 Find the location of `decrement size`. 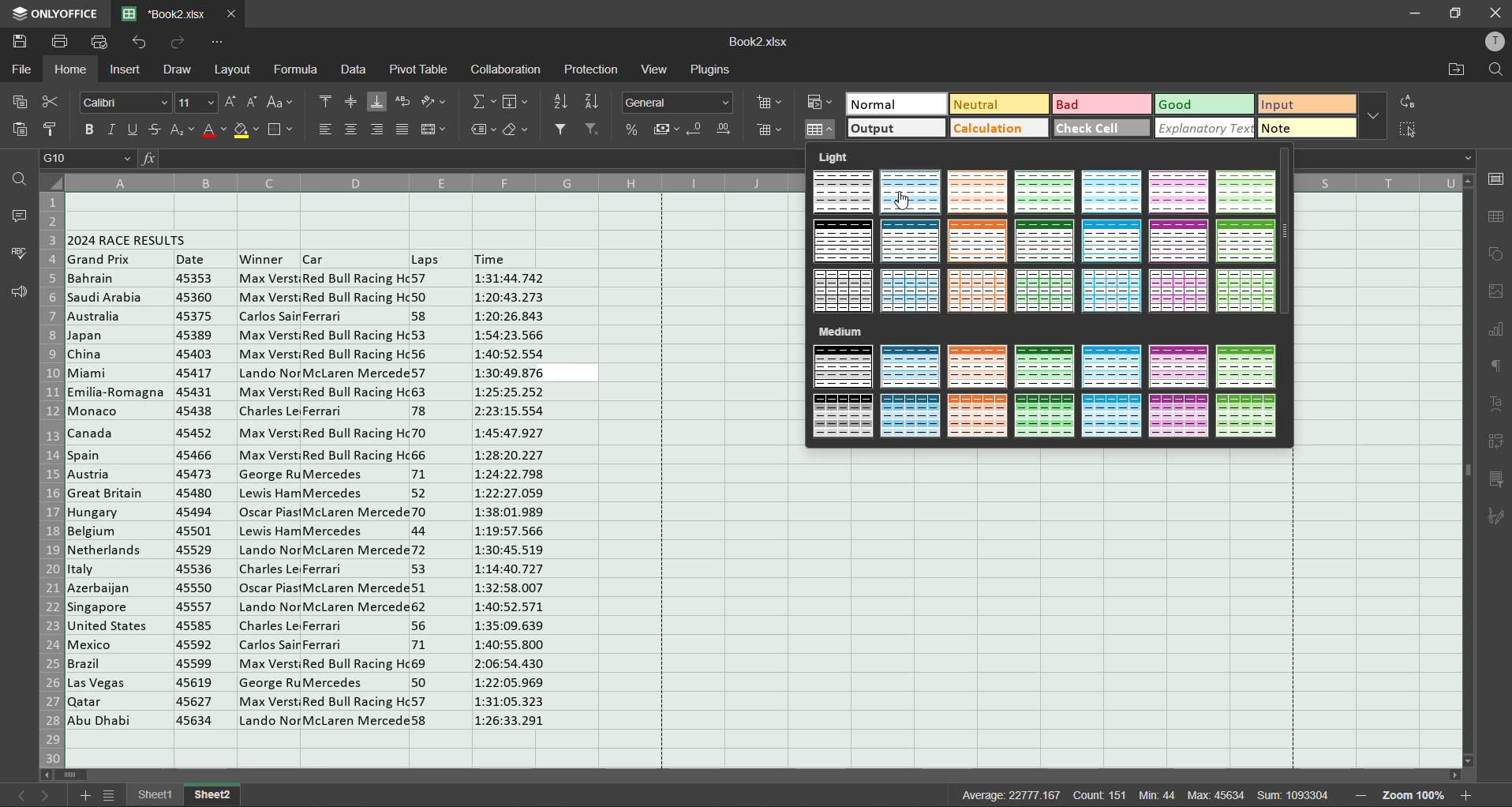

decrement size is located at coordinates (253, 103).